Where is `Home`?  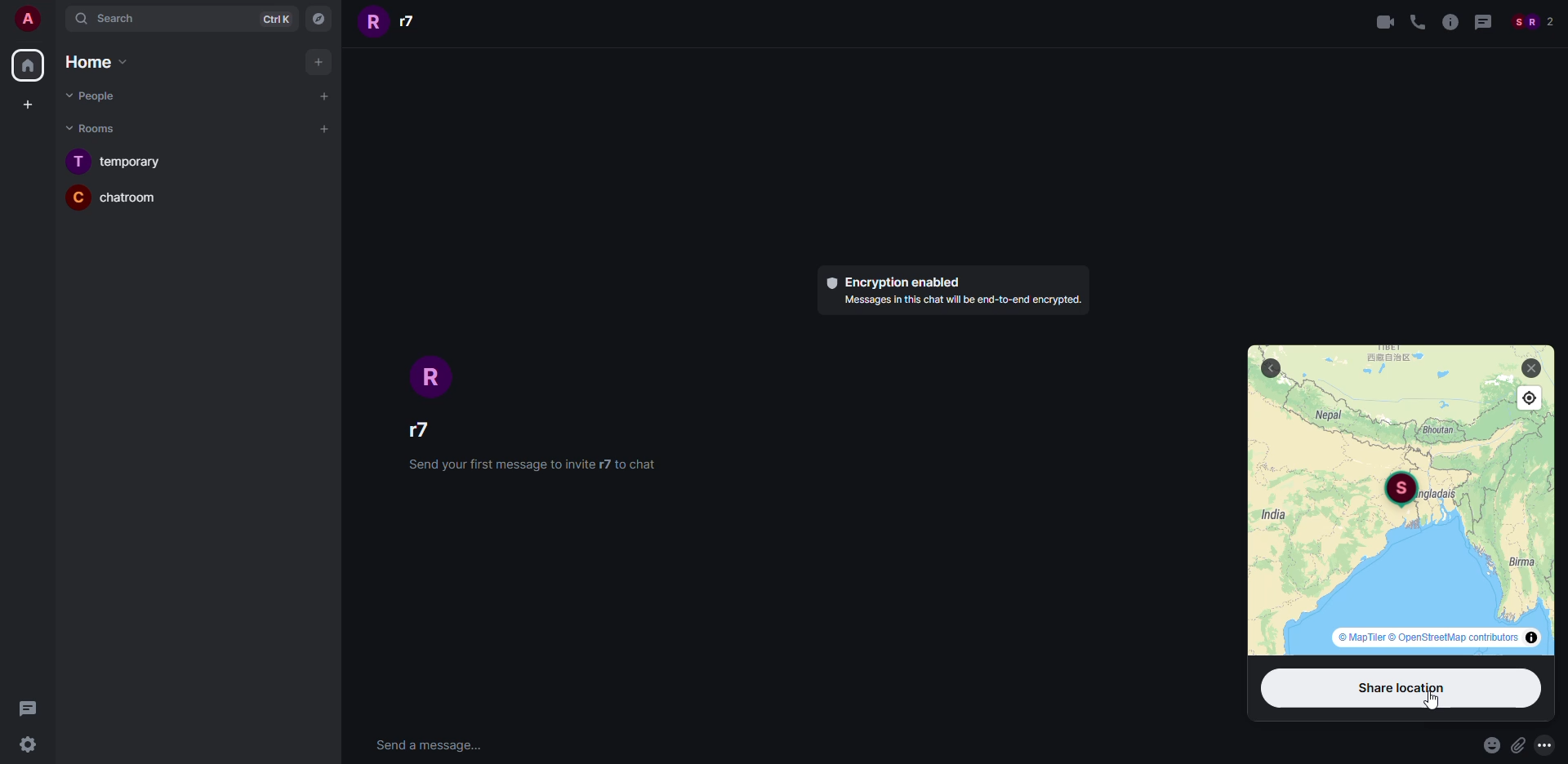 Home is located at coordinates (26, 65).